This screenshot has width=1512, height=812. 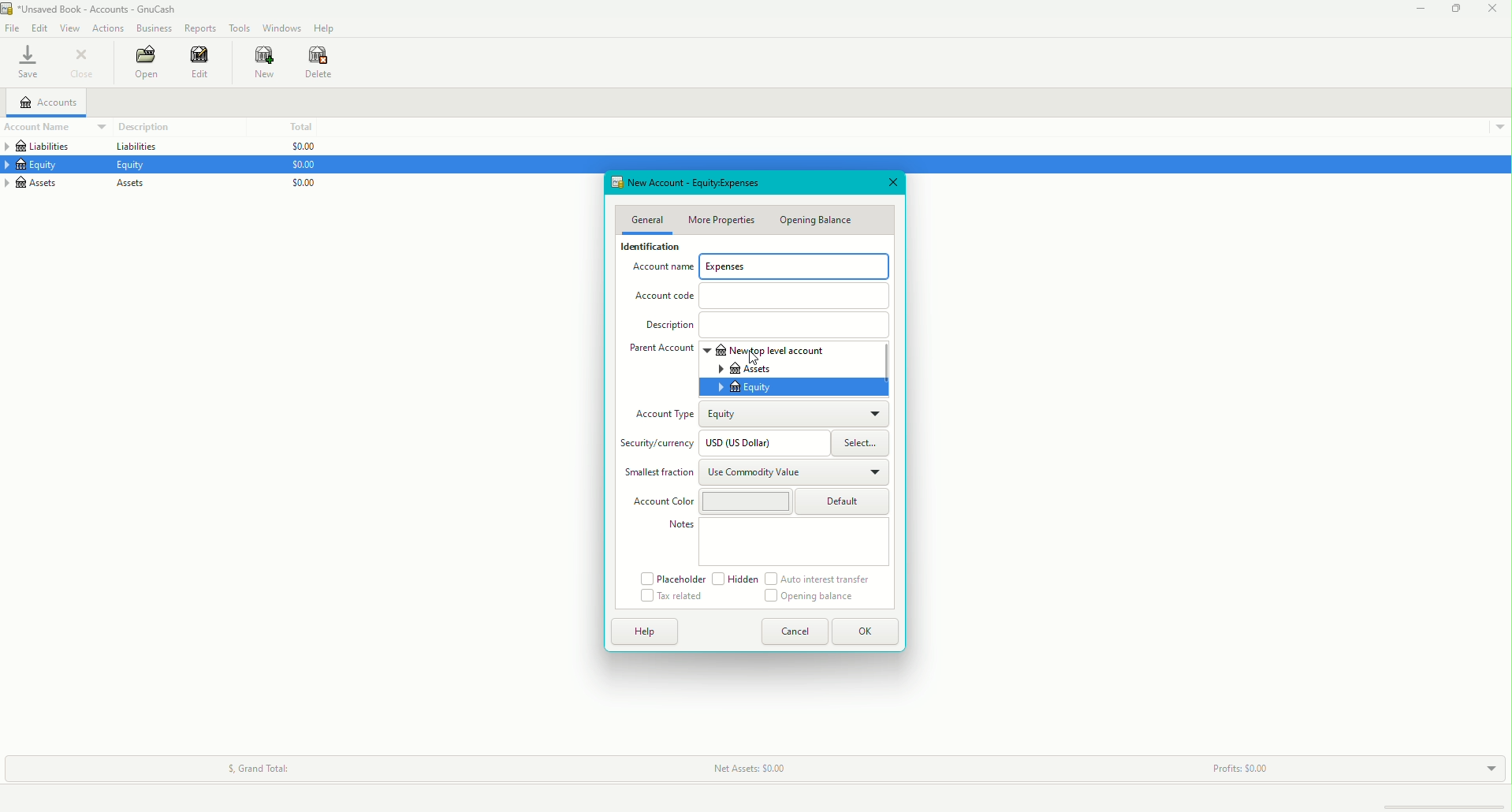 What do you see at coordinates (821, 579) in the screenshot?
I see `Auto interest transfer` at bounding box center [821, 579].